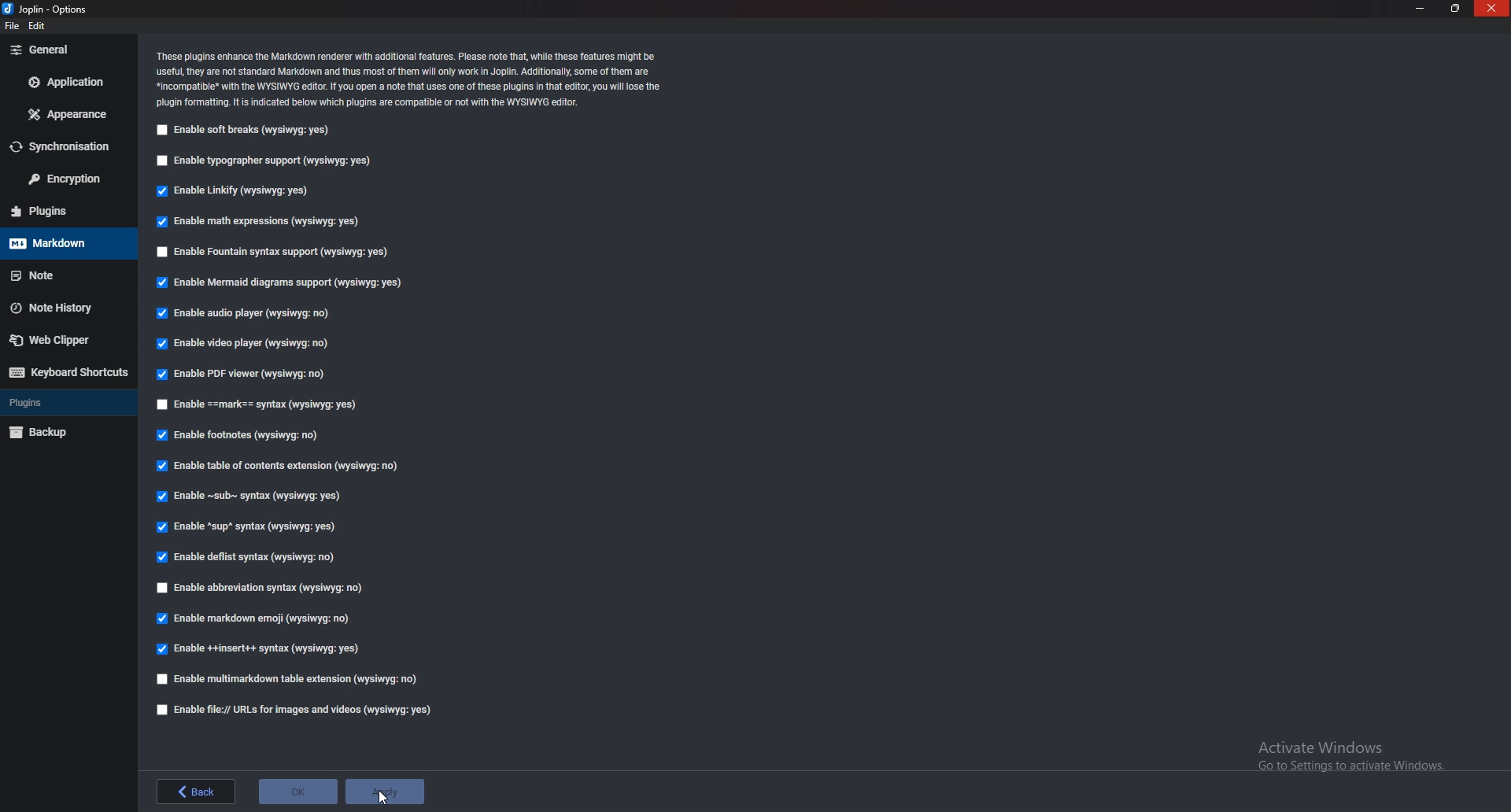 The image size is (1511, 812). I want to click on Enable math expressions, so click(260, 224).